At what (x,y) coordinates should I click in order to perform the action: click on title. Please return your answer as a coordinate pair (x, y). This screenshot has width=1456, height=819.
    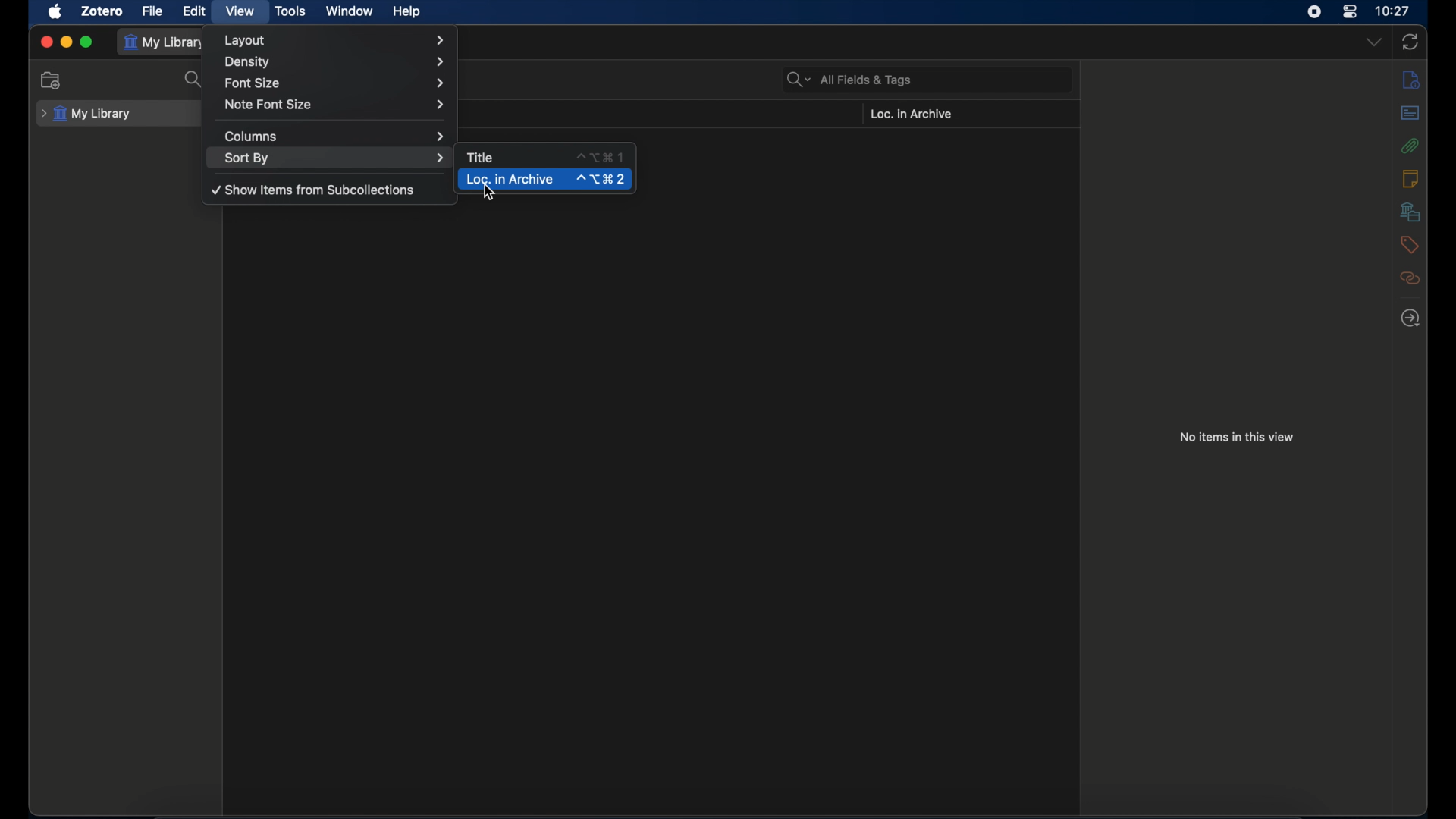
    Looking at the image, I should click on (479, 157).